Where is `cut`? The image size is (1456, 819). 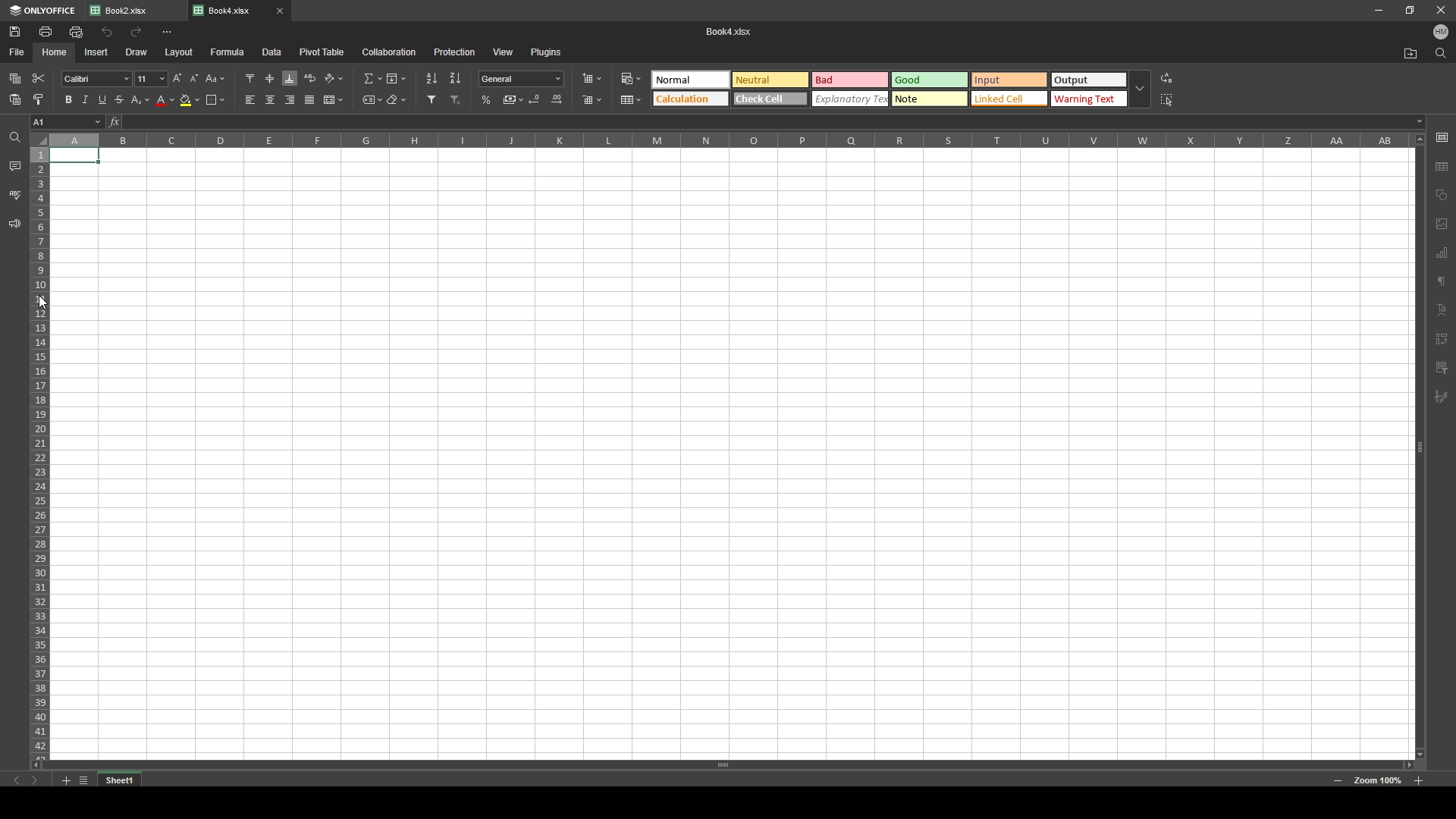
cut is located at coordinates (39, 79).